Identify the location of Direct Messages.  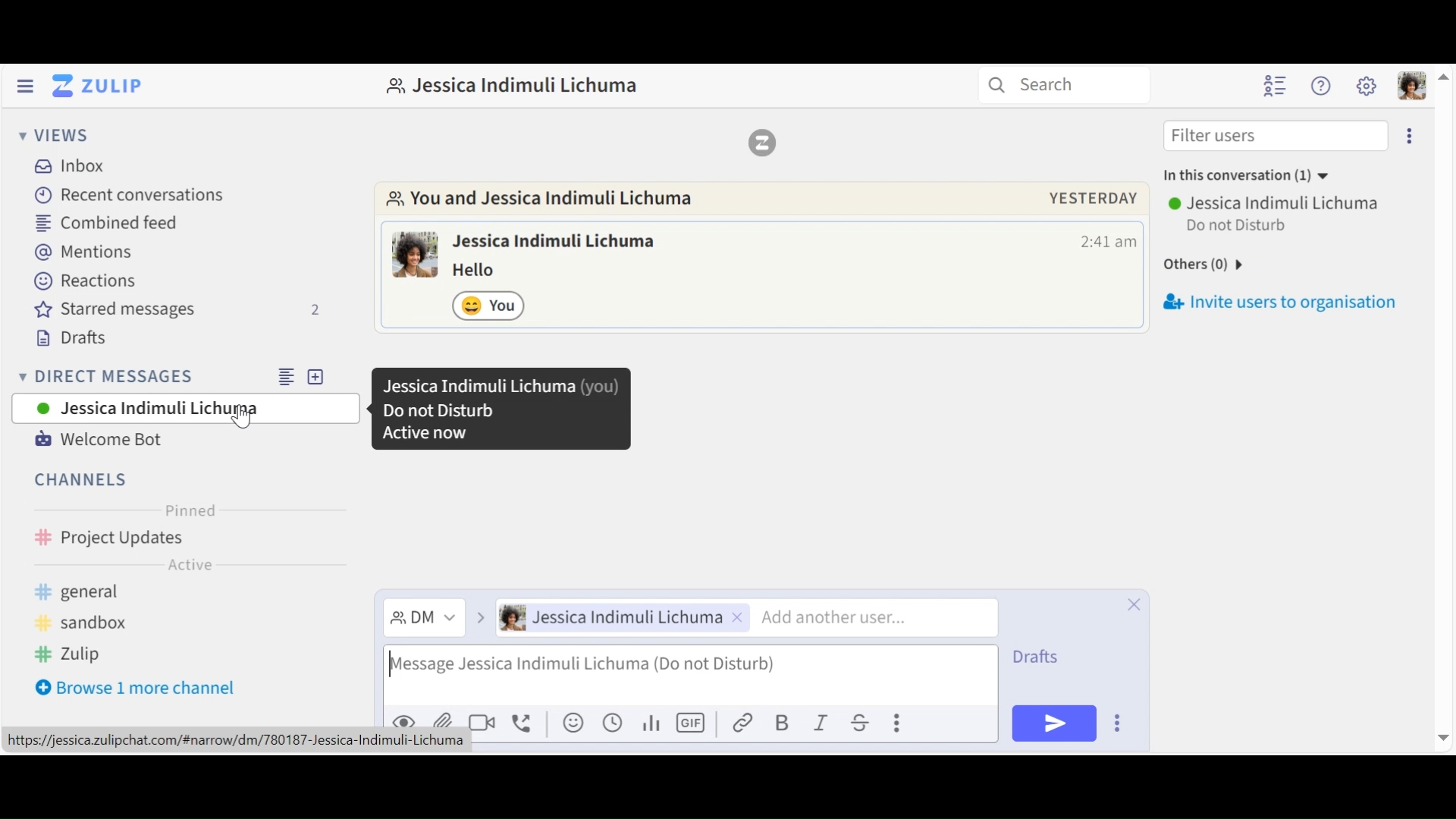
(181, 375).